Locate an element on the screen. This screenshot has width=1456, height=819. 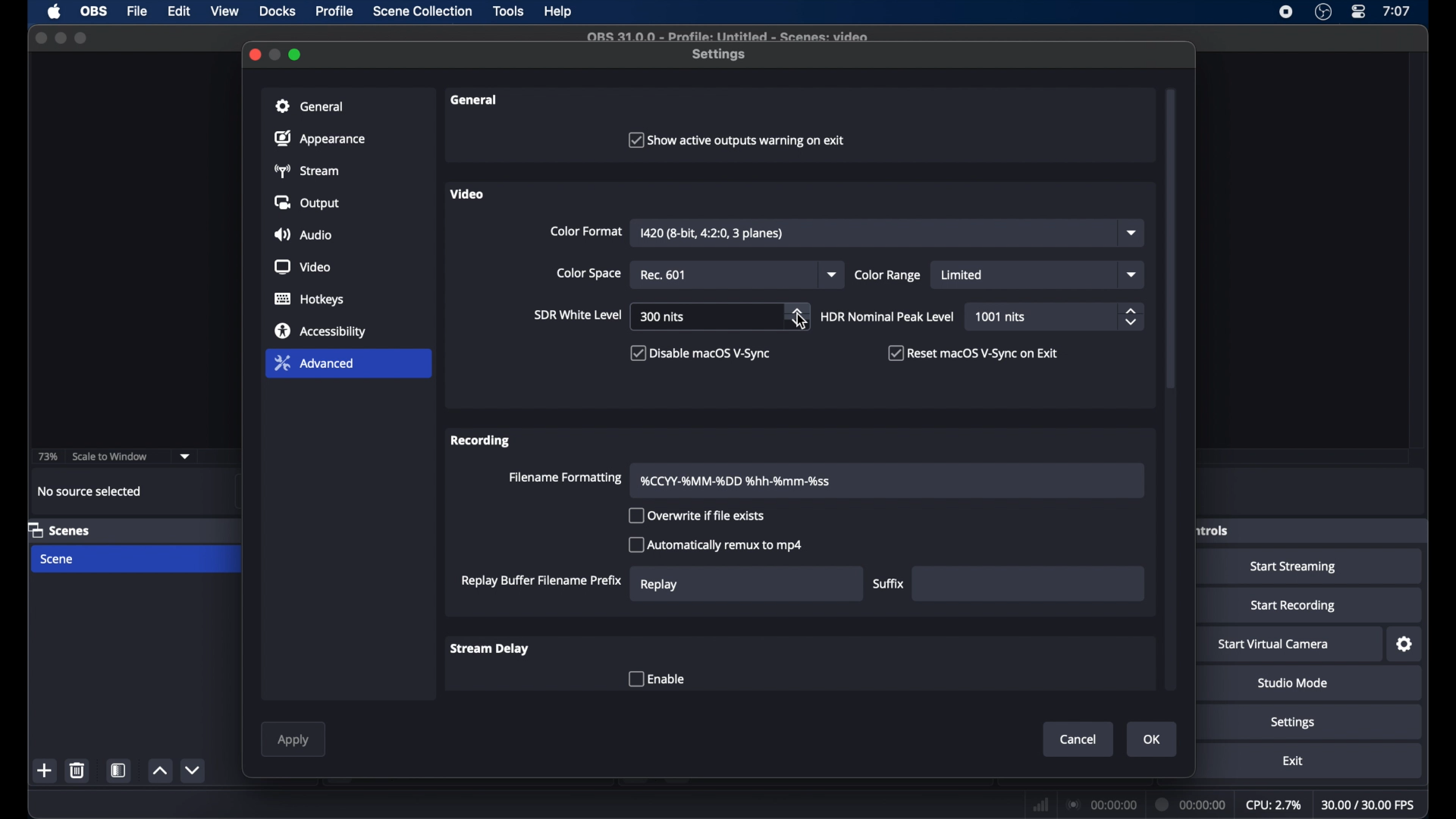
settings is located at coordinates (720, 55).